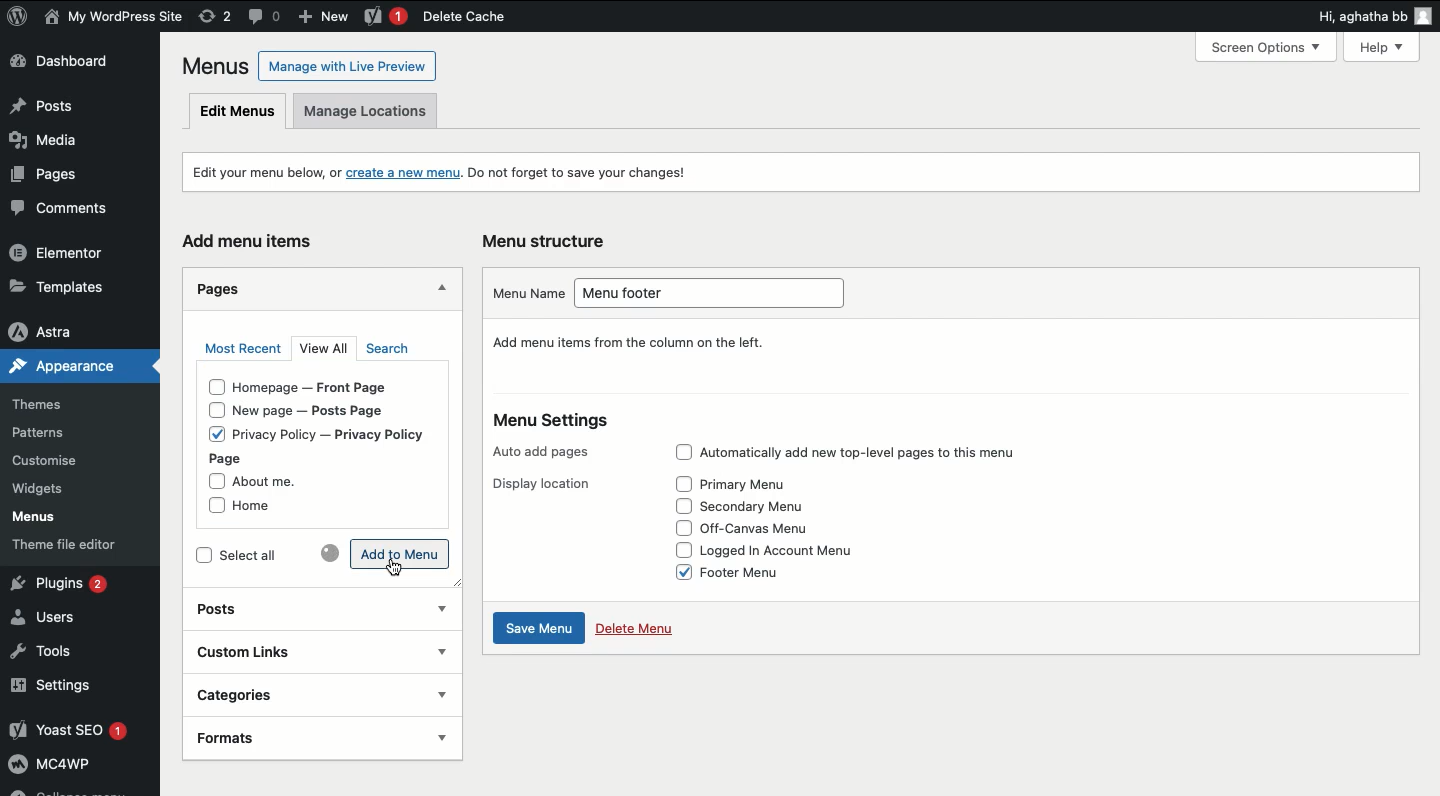  I want to click on Home, so click(267, 508).